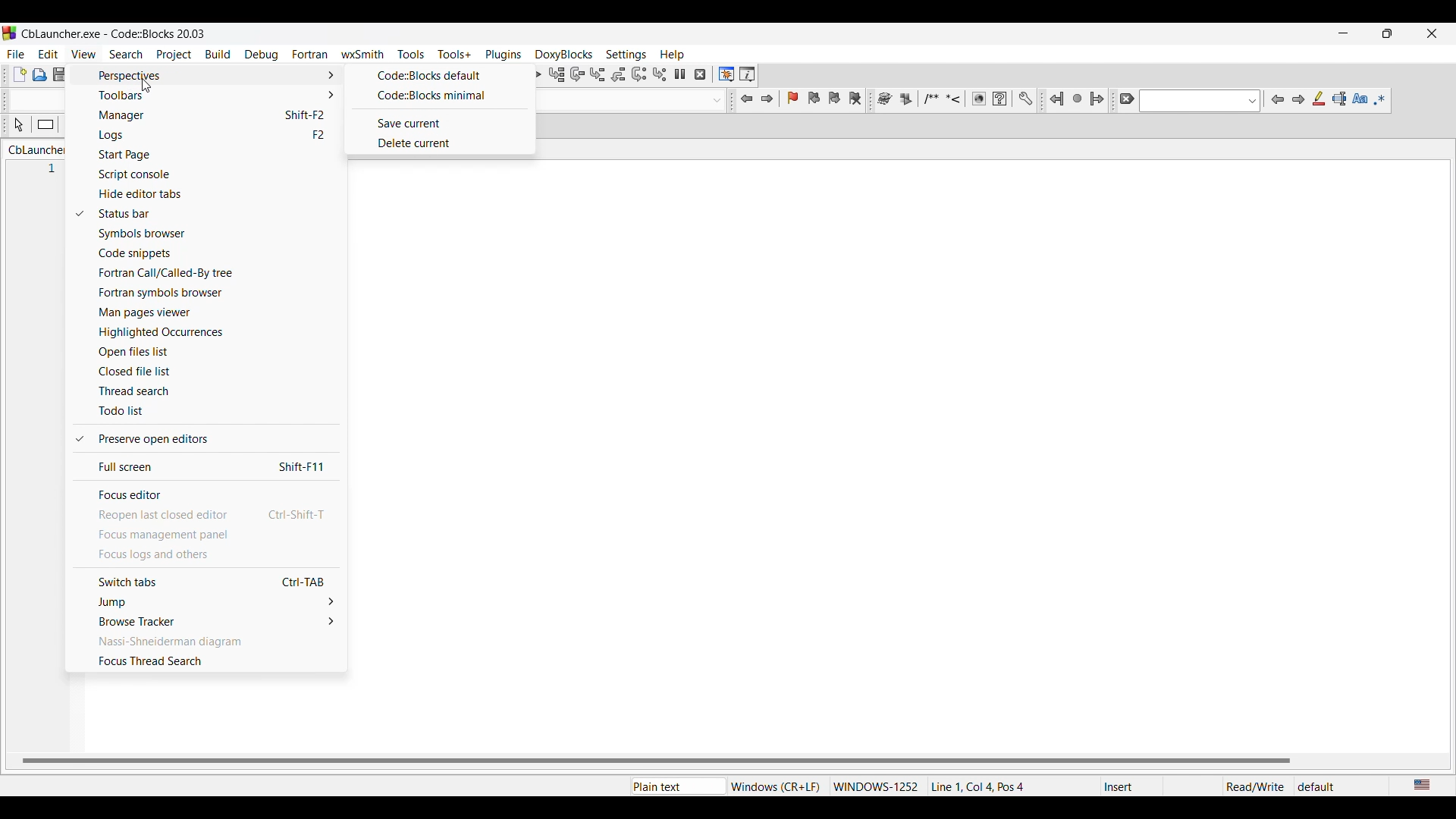  Describe the element at coordinates (1380, 99) in the screenshot. I see `Use regex` at that location.